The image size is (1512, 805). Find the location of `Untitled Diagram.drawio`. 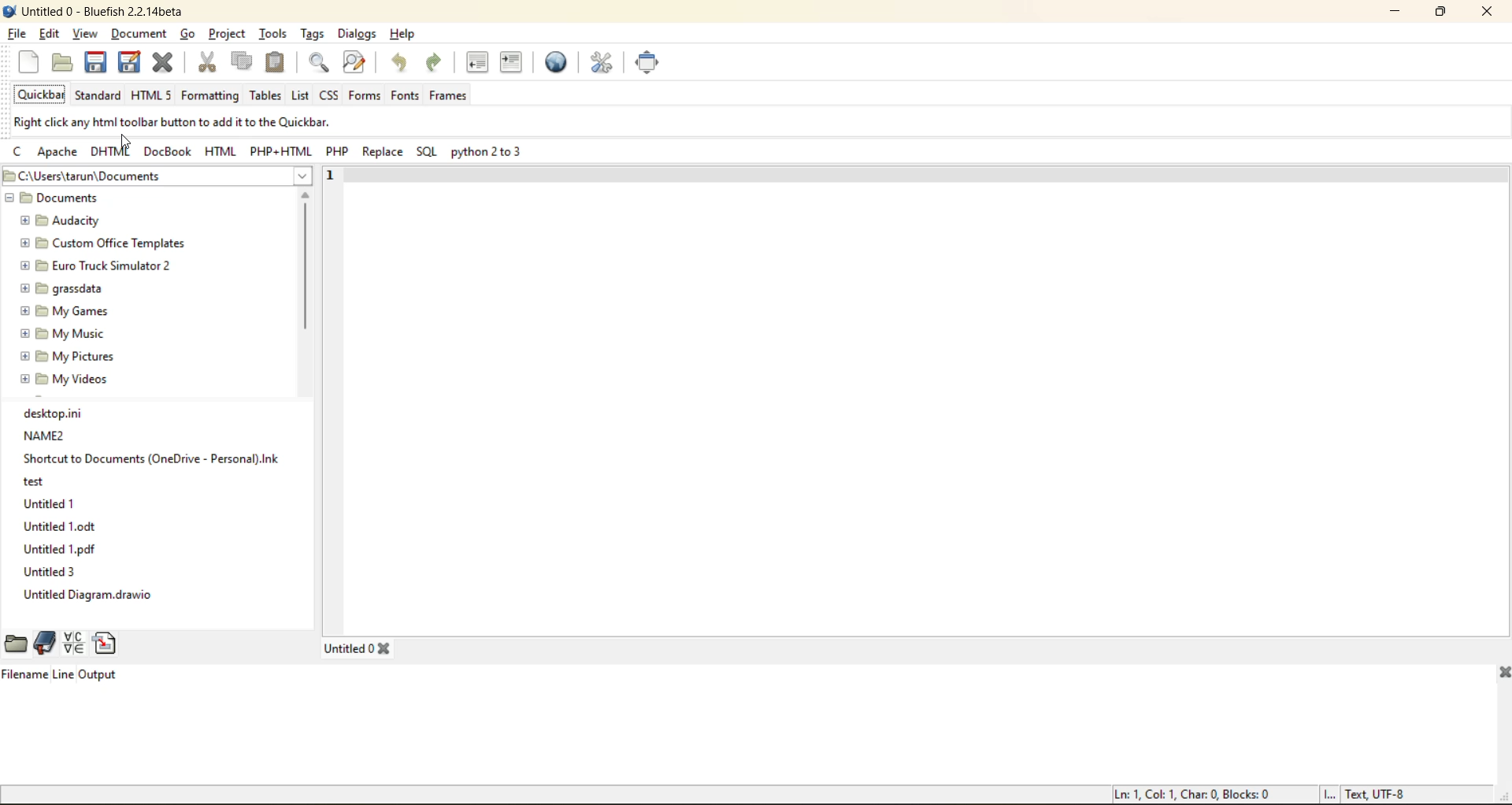

Untitled Diagram.drawio is located at coordinates (84, 598).